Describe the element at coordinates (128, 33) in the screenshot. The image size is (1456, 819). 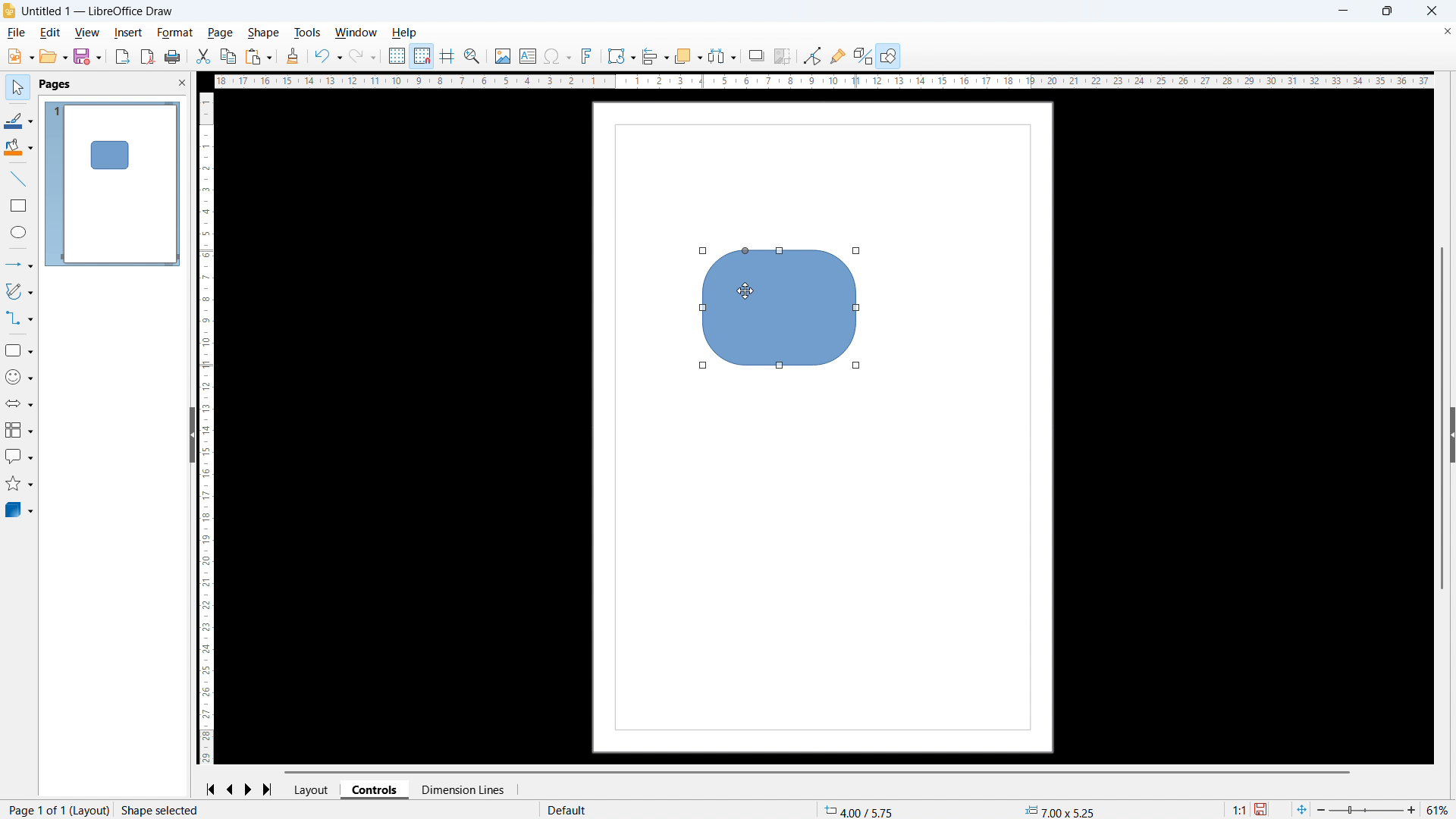
I see `Insert ` at that location.